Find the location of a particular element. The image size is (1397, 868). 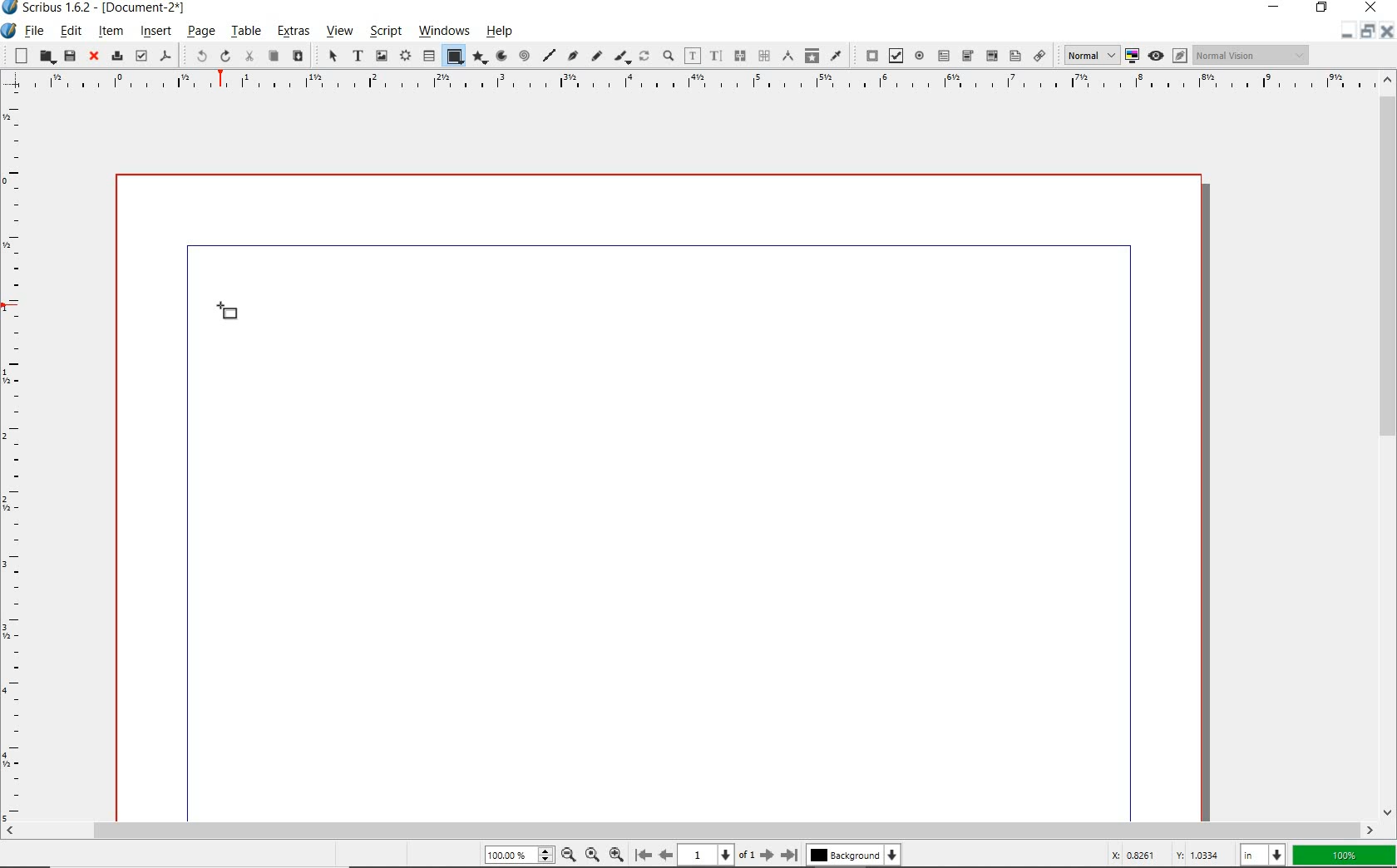

zoom to is located at coordinates (594, 855).